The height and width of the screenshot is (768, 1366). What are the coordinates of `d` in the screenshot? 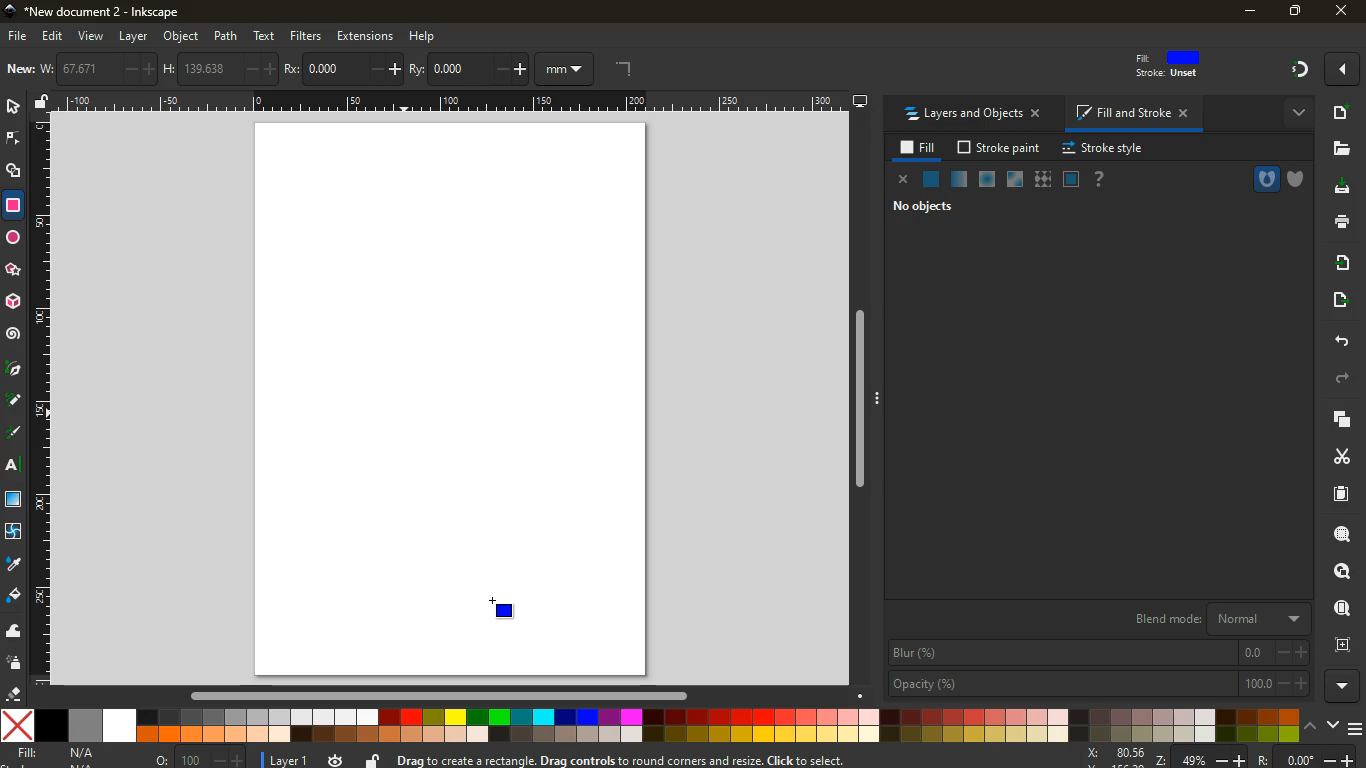 It's located at (15, 400).